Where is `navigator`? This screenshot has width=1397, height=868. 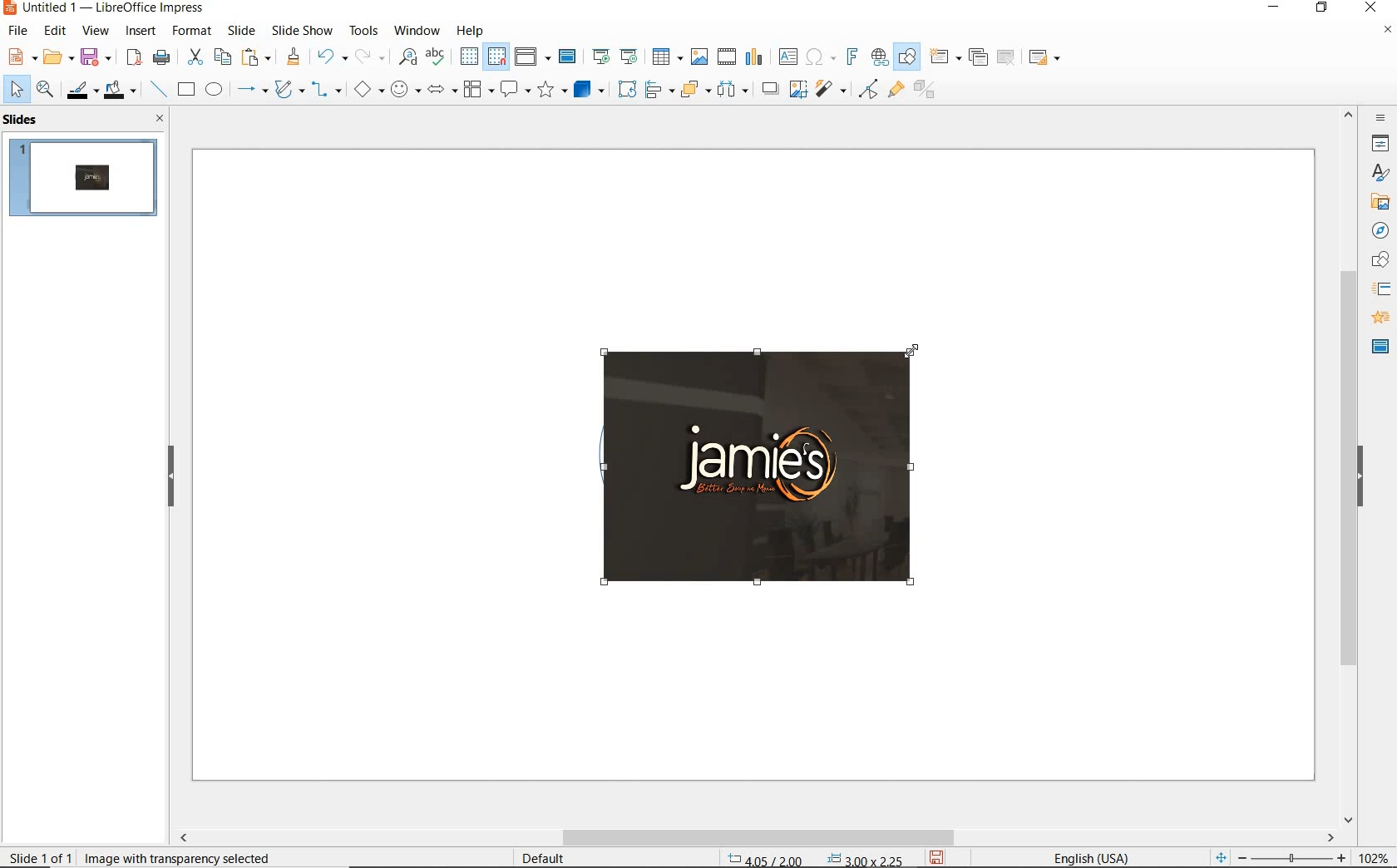
navigator is located at coordinates (1379, 229).